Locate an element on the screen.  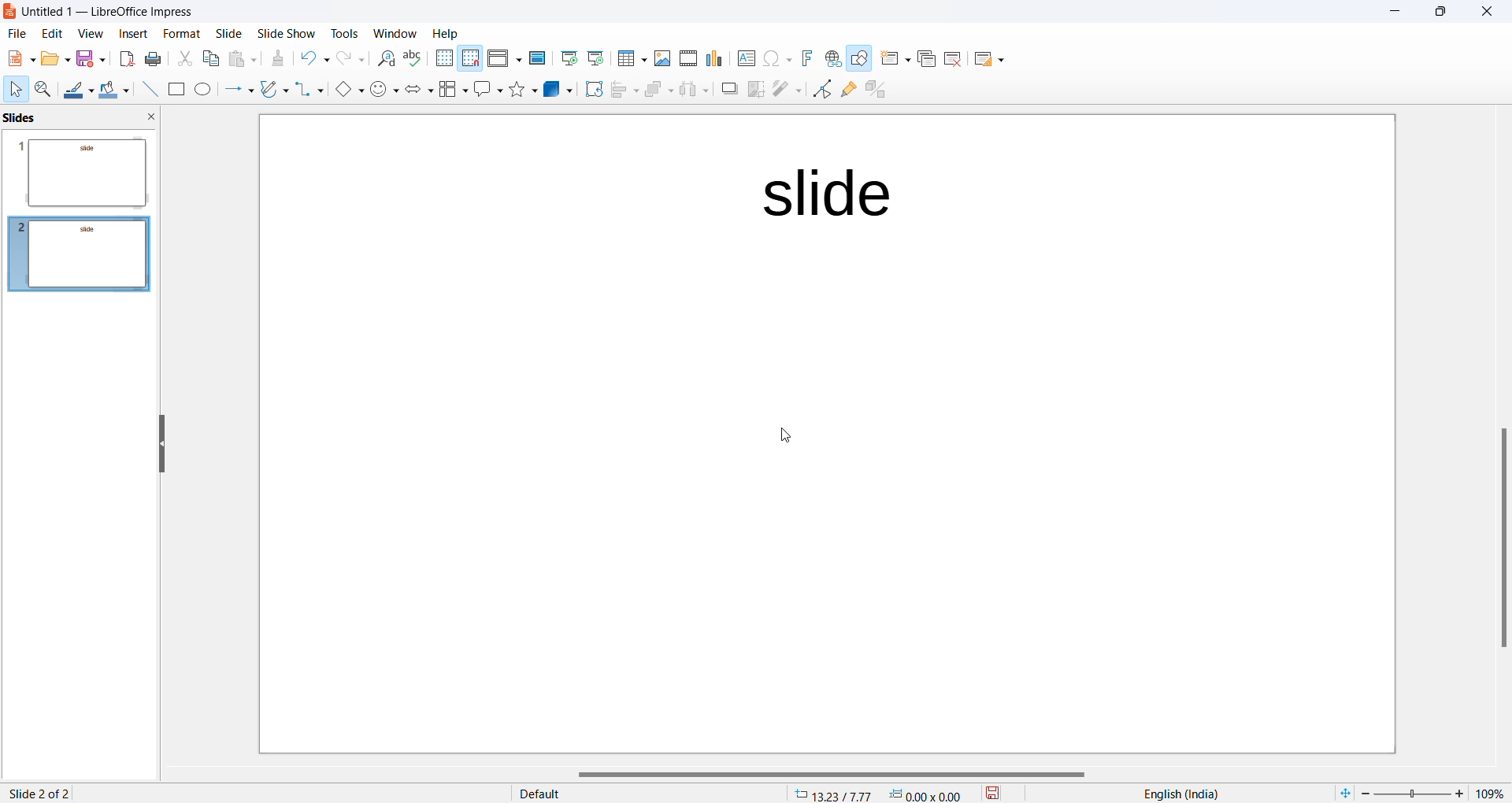
New file is located at coordinates (54, 58).